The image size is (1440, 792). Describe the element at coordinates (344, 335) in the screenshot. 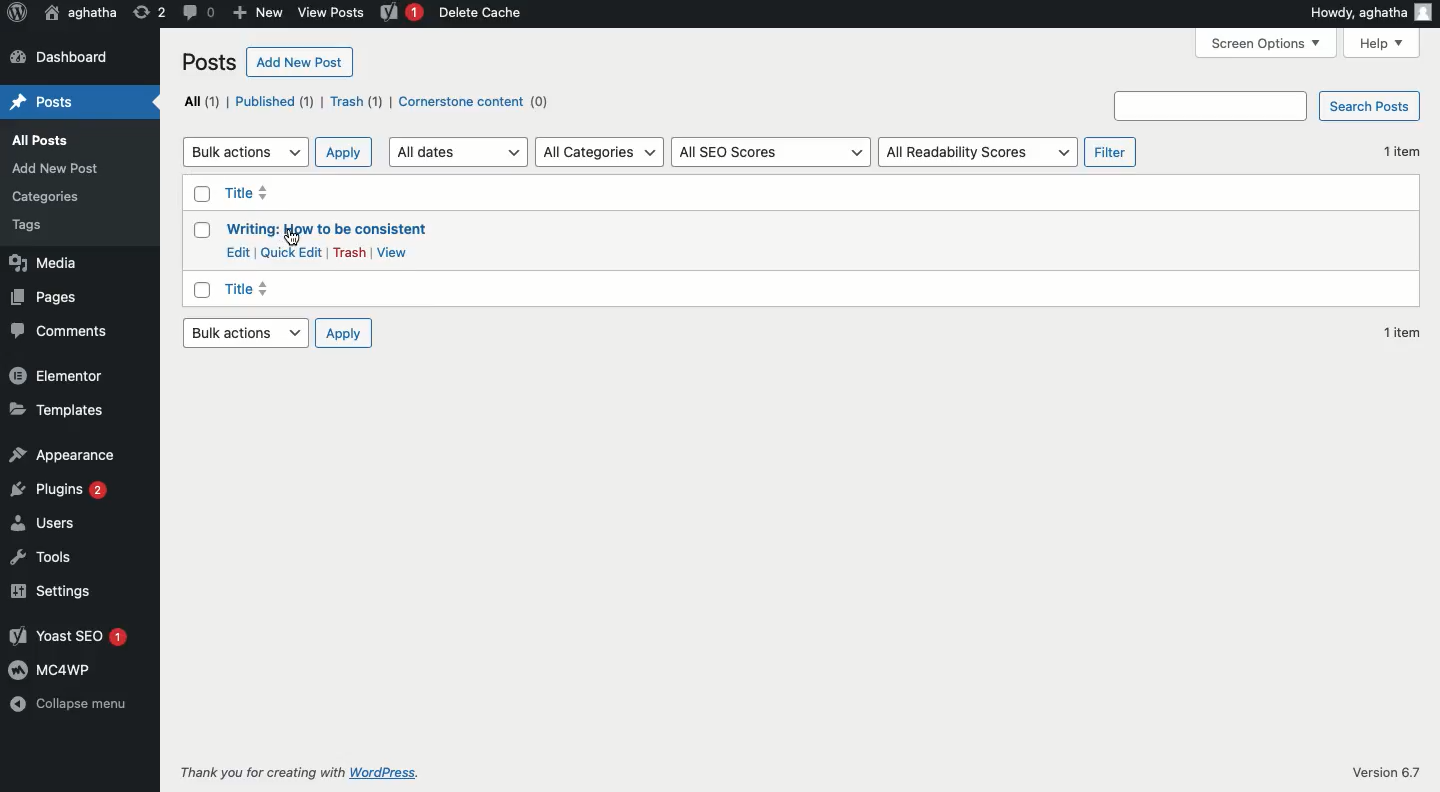

I see `Apply` at that location.